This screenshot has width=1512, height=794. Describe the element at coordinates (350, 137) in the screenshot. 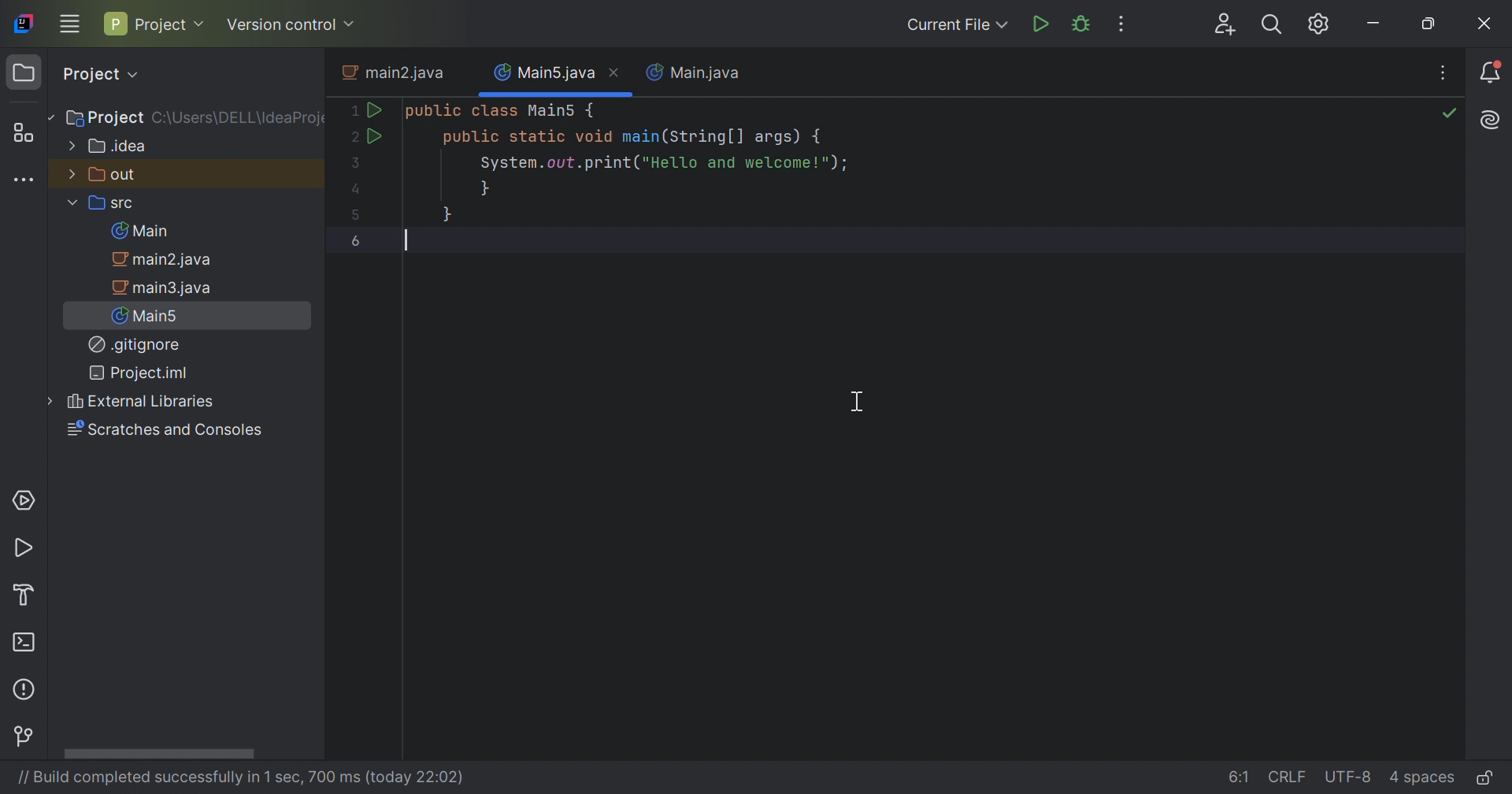

I see `2` at that location.